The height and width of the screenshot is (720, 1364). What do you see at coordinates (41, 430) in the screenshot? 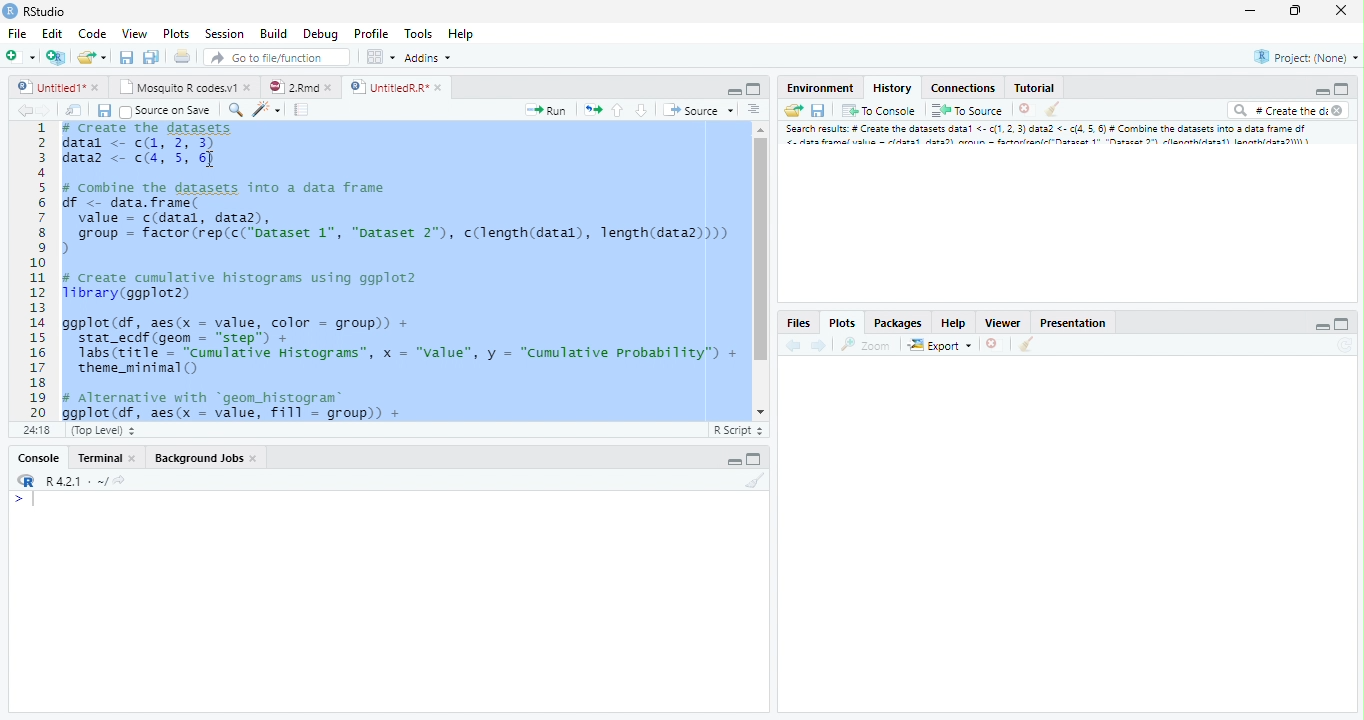
I see `1:1` at bounding box center [41, 430].